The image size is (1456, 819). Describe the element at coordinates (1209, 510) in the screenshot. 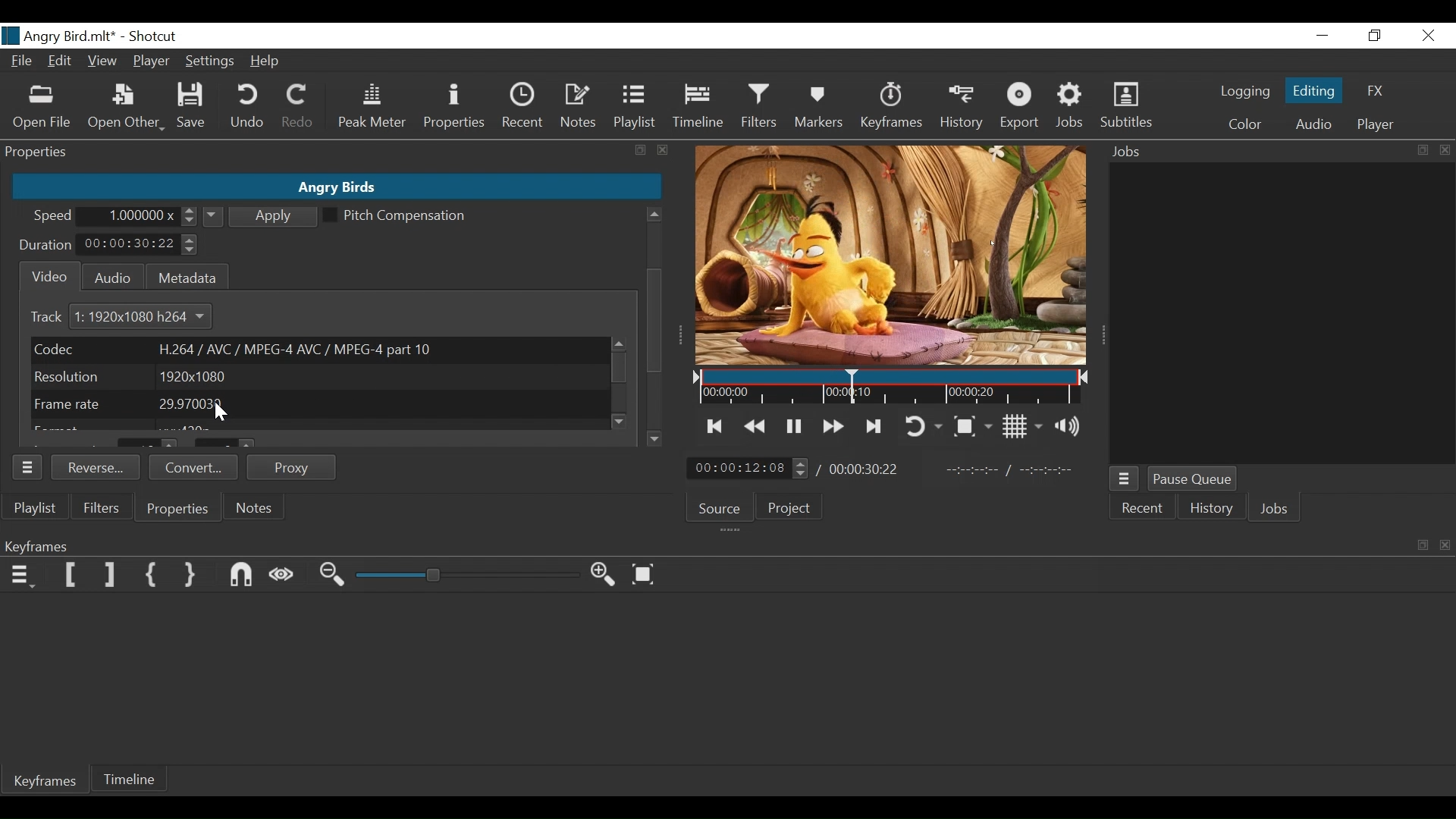

I see `History` at that location.